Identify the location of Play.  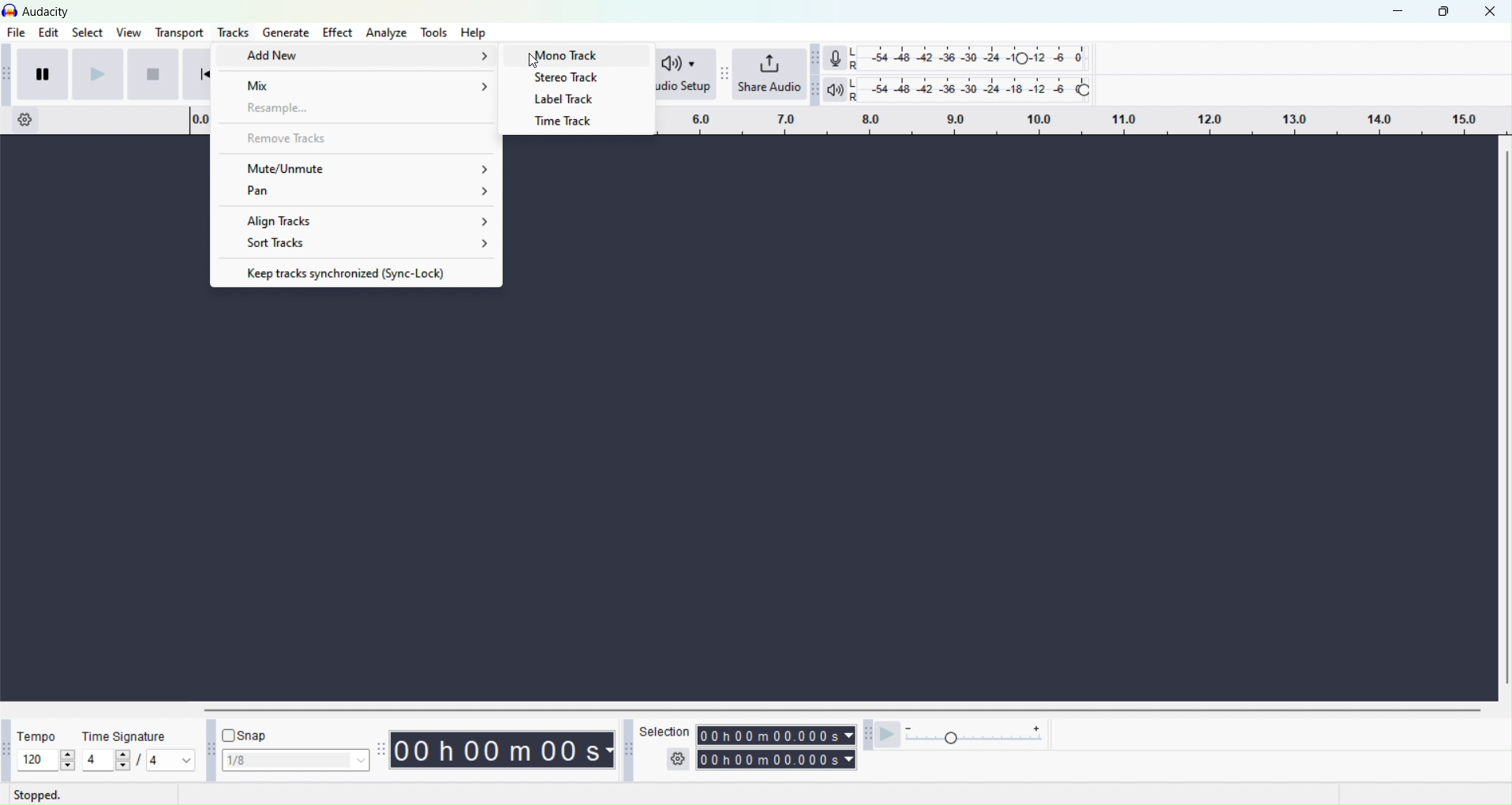
(98, 73).